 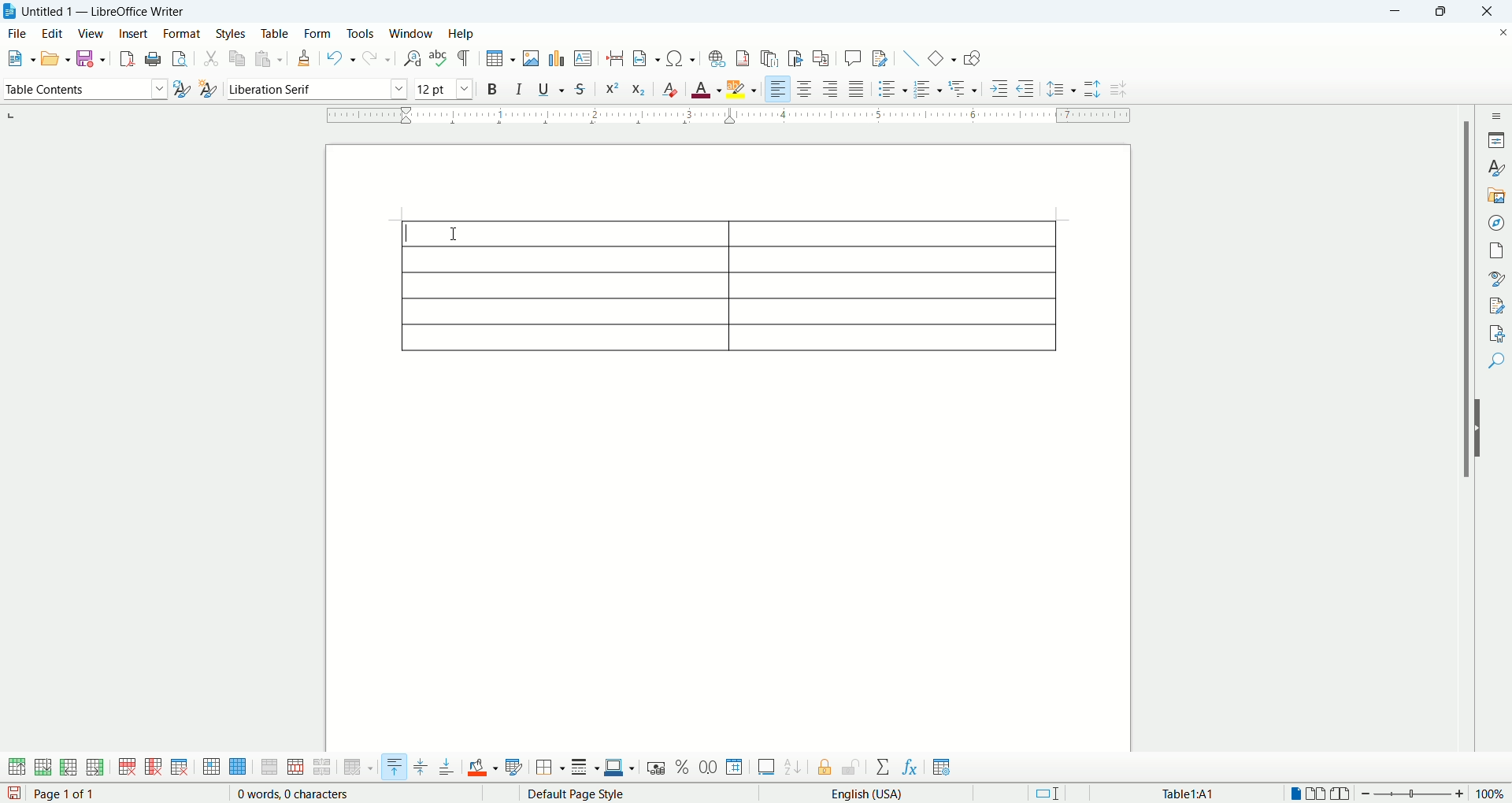 I want to click on save, so click(x=14, y=794).